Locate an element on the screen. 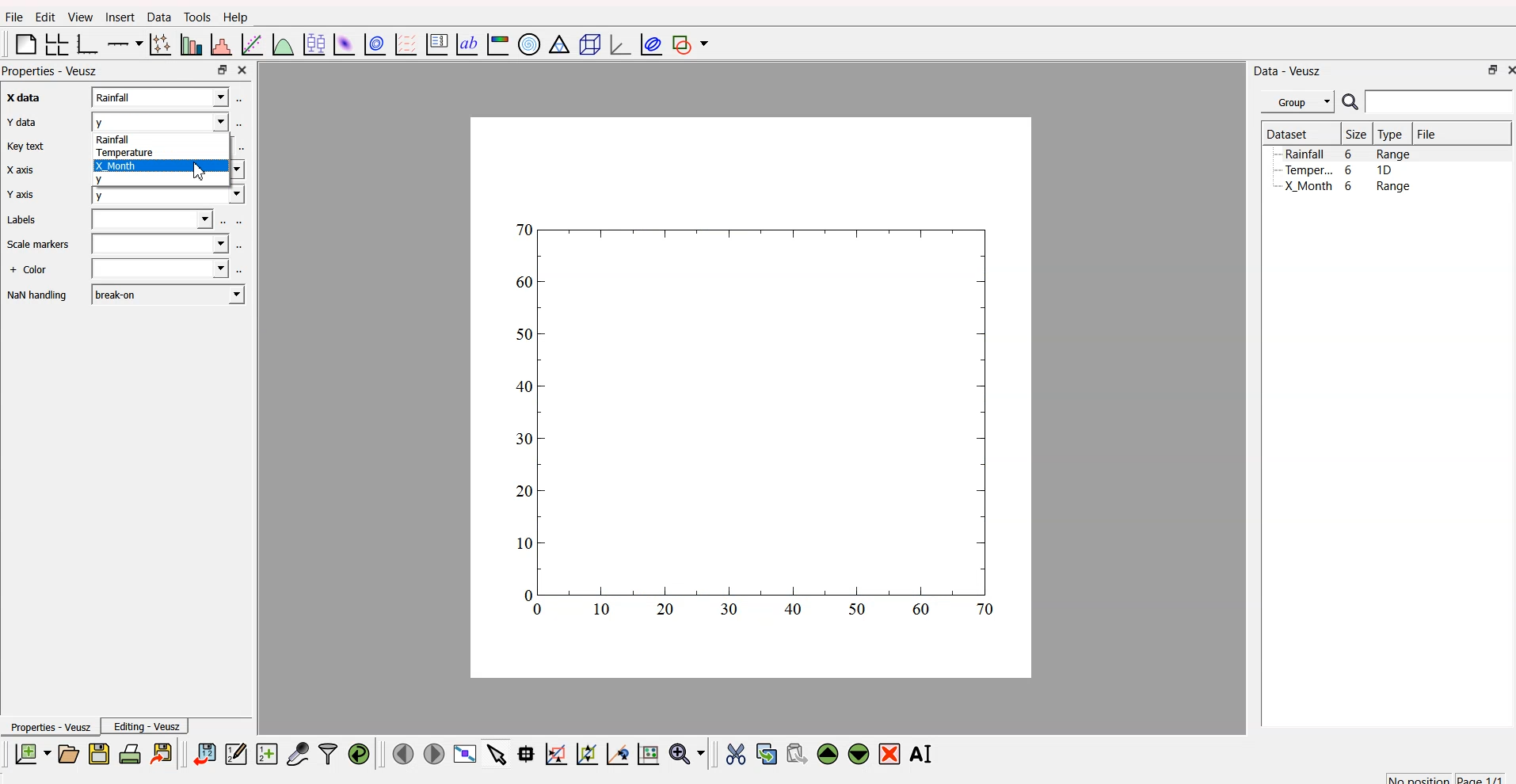 This screenshot has width=1516, height=784. move up the widget is located at coordinates (827, 754).